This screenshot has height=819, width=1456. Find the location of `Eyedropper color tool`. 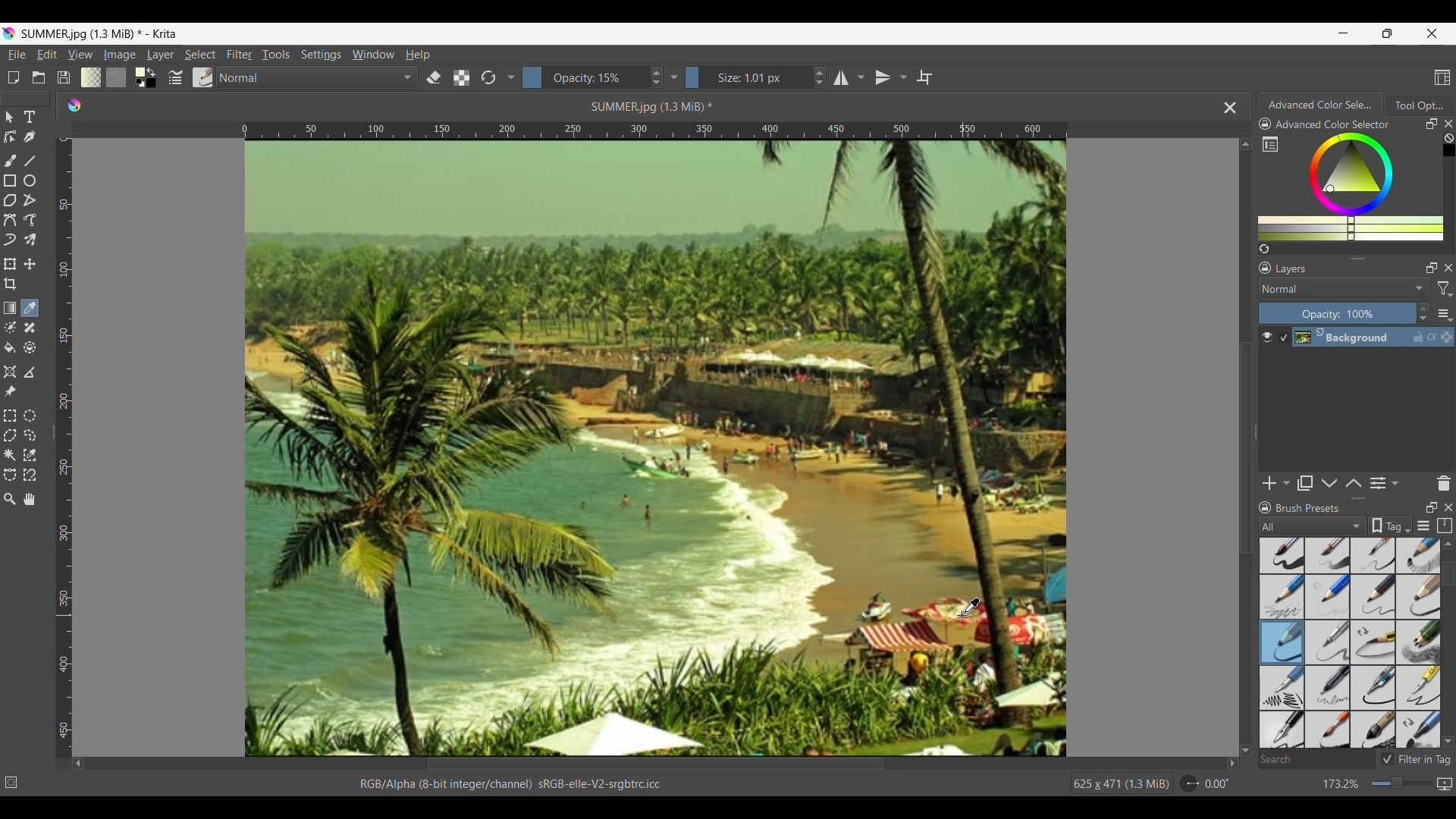

Eyedropper color tool is located at coordinates (29, 308).